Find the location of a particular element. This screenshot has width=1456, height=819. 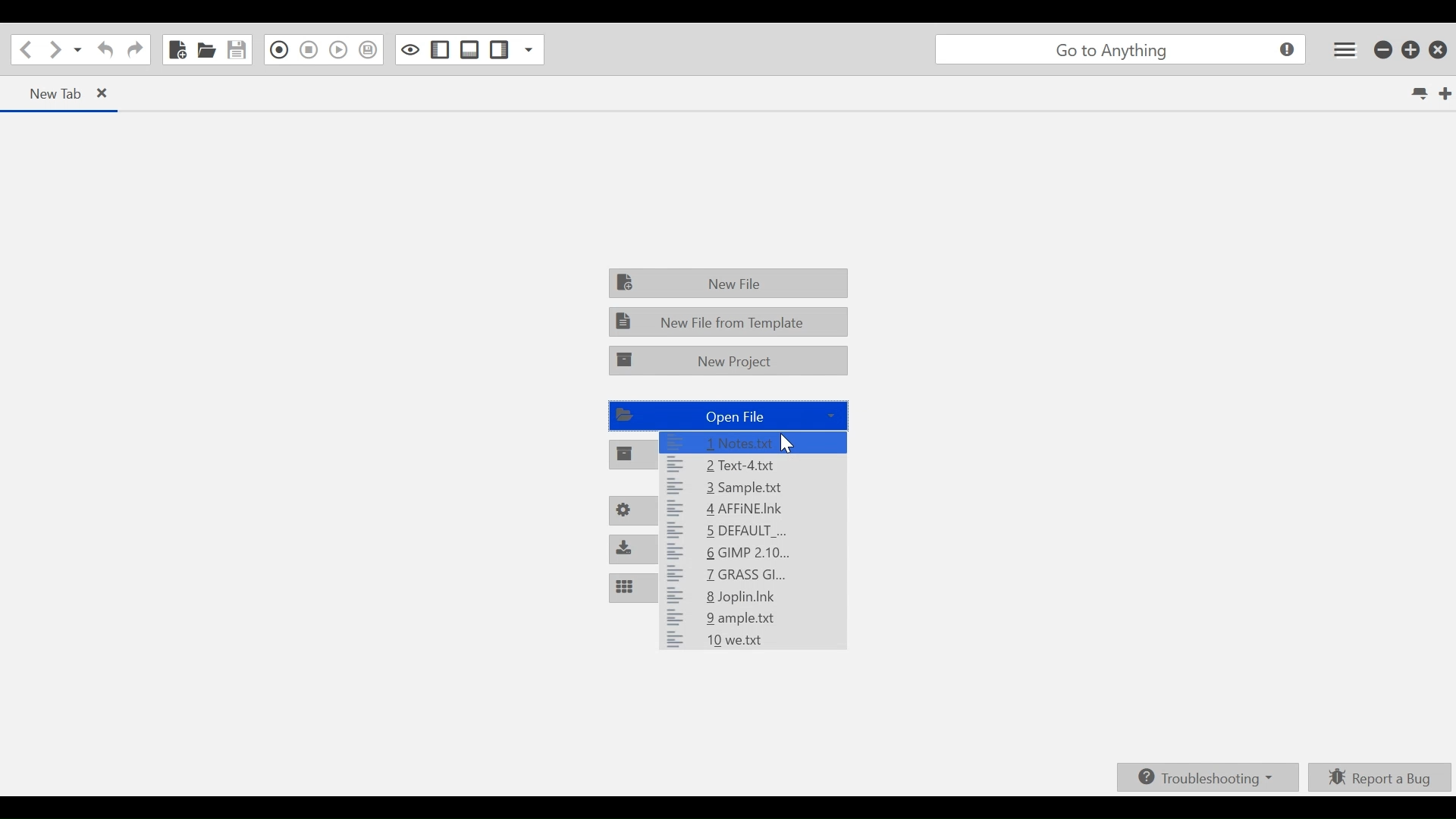

Preferences is located at coordinates (632, 512).